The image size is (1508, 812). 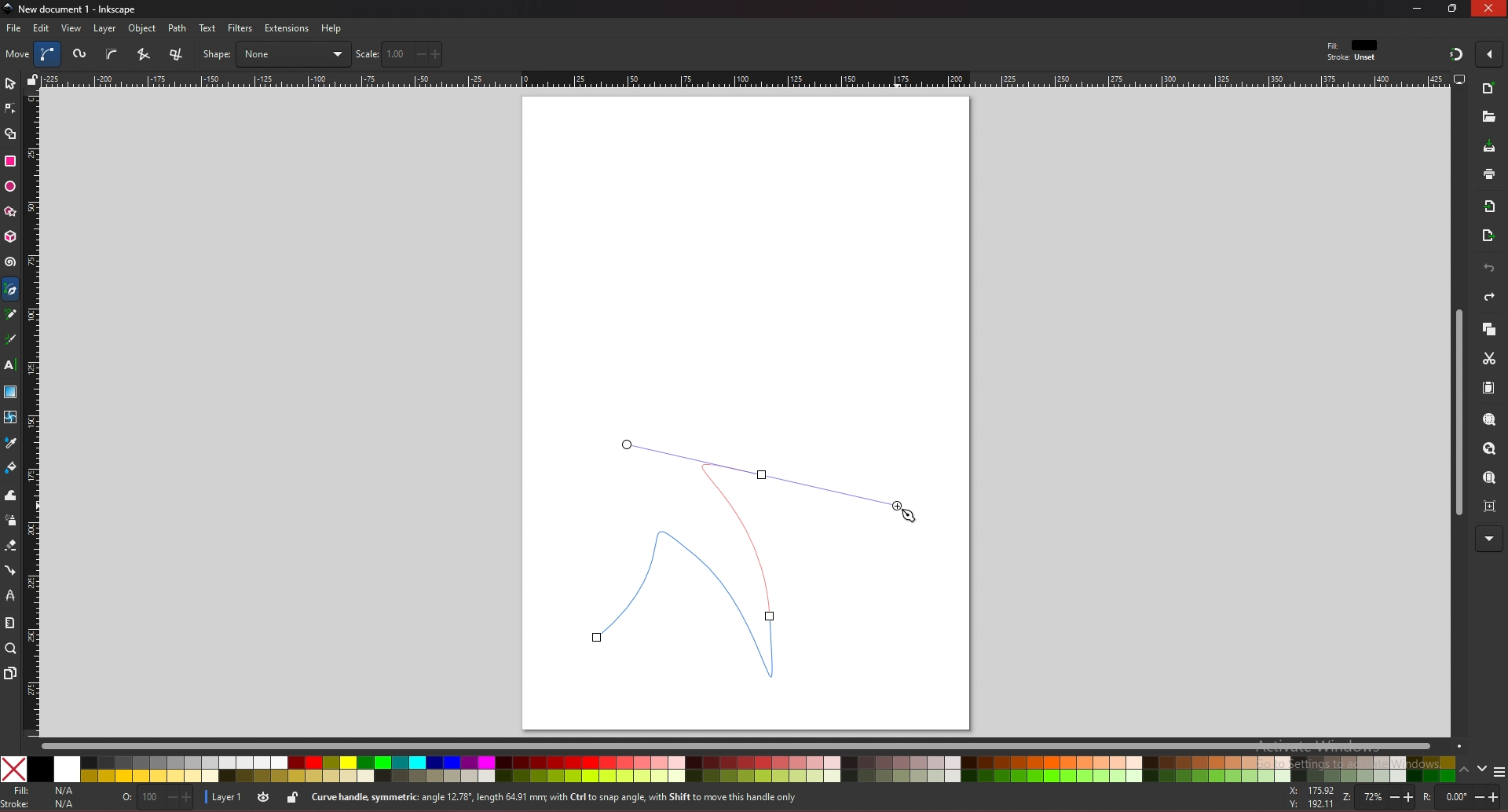 I want to click on pen, so click(x=13, y=290).